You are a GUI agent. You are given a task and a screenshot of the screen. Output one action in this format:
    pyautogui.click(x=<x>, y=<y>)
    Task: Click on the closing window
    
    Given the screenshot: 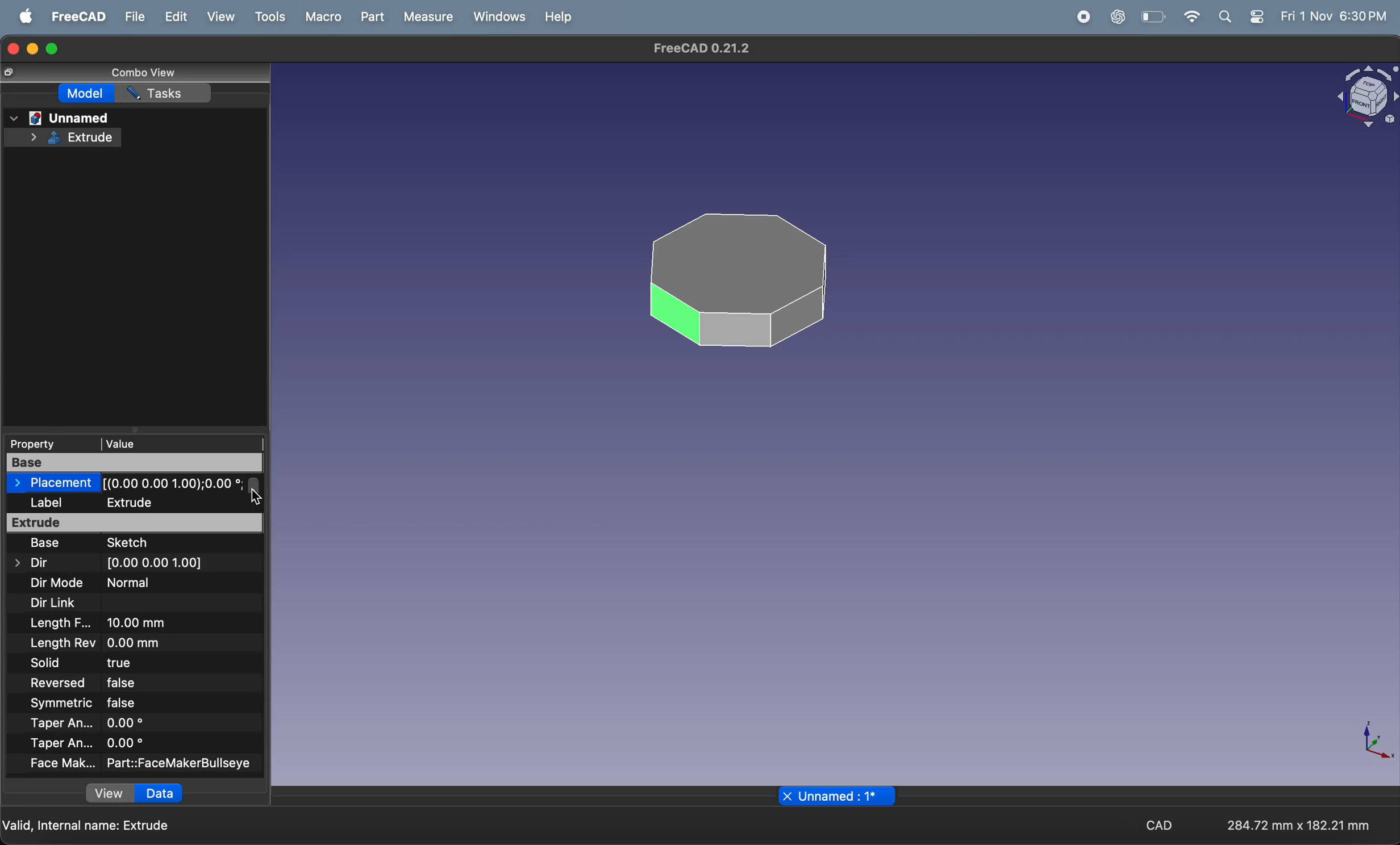 What is the action you would take?
    pyautogui.click(x=12, y=47)
    